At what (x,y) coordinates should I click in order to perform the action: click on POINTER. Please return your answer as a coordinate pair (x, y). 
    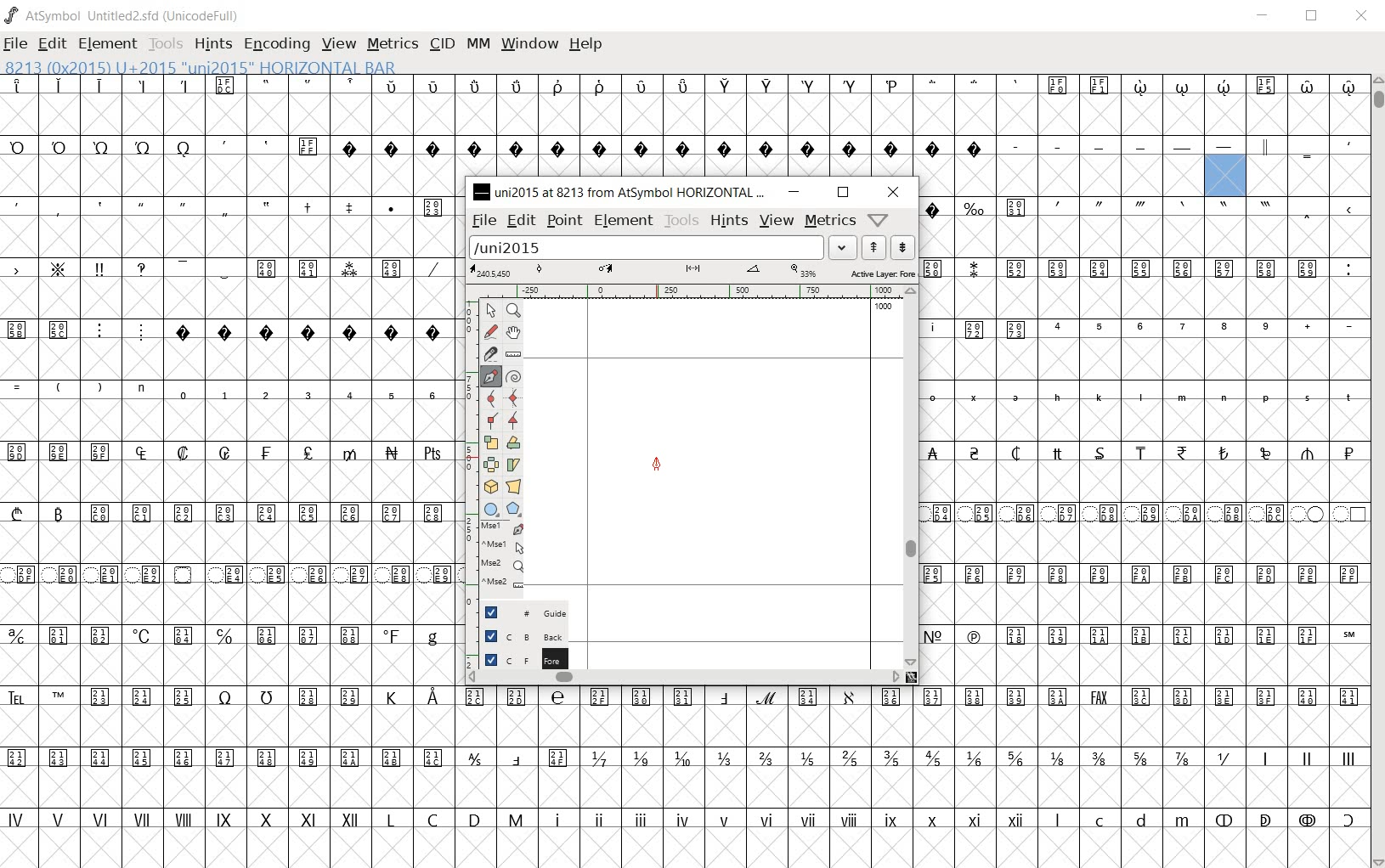
    Looking at the image, I should click on (492, 312).